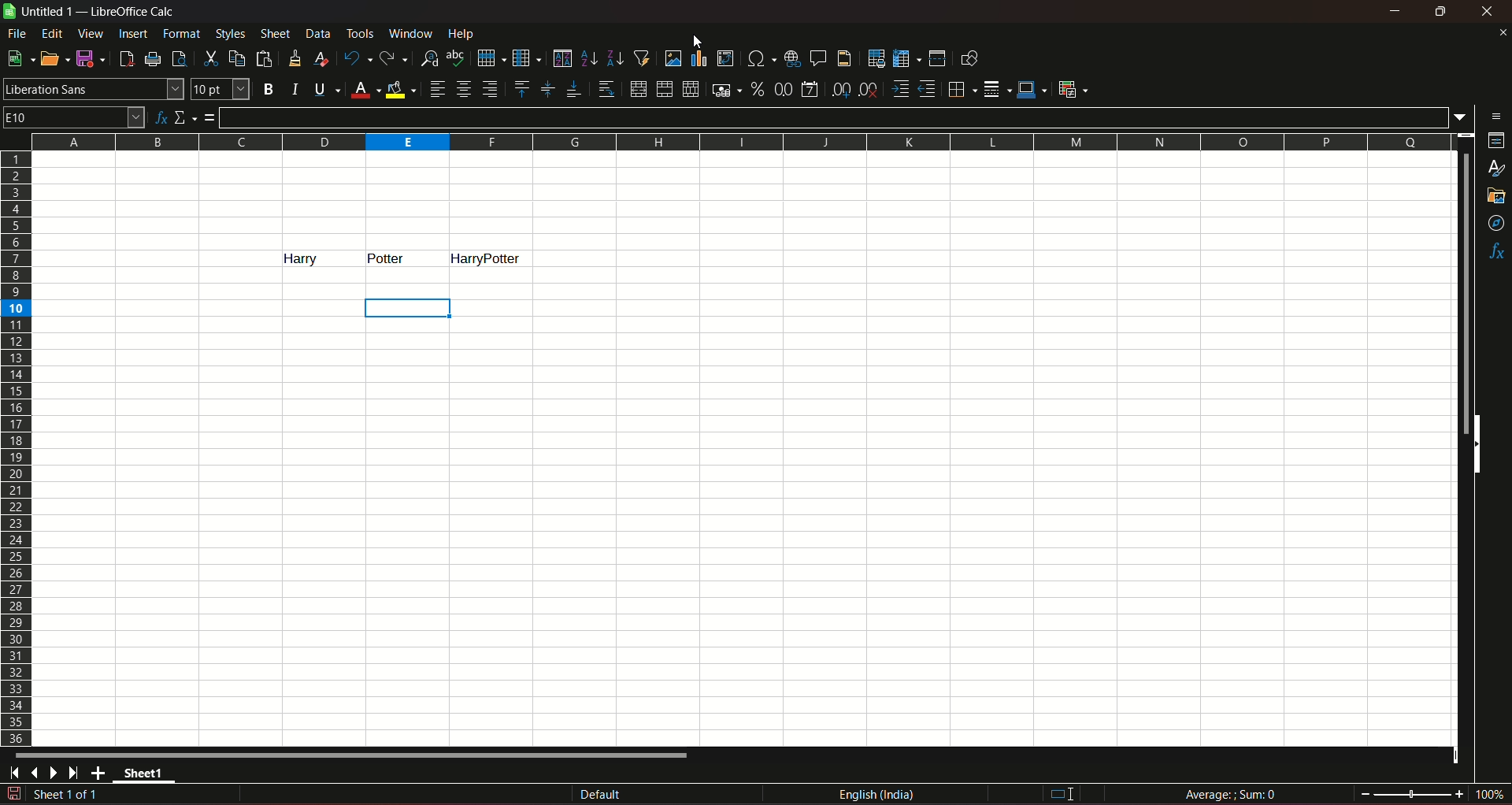 The image size is (1512, 805). I want to click on I beam cursor, so click(1063, 795).